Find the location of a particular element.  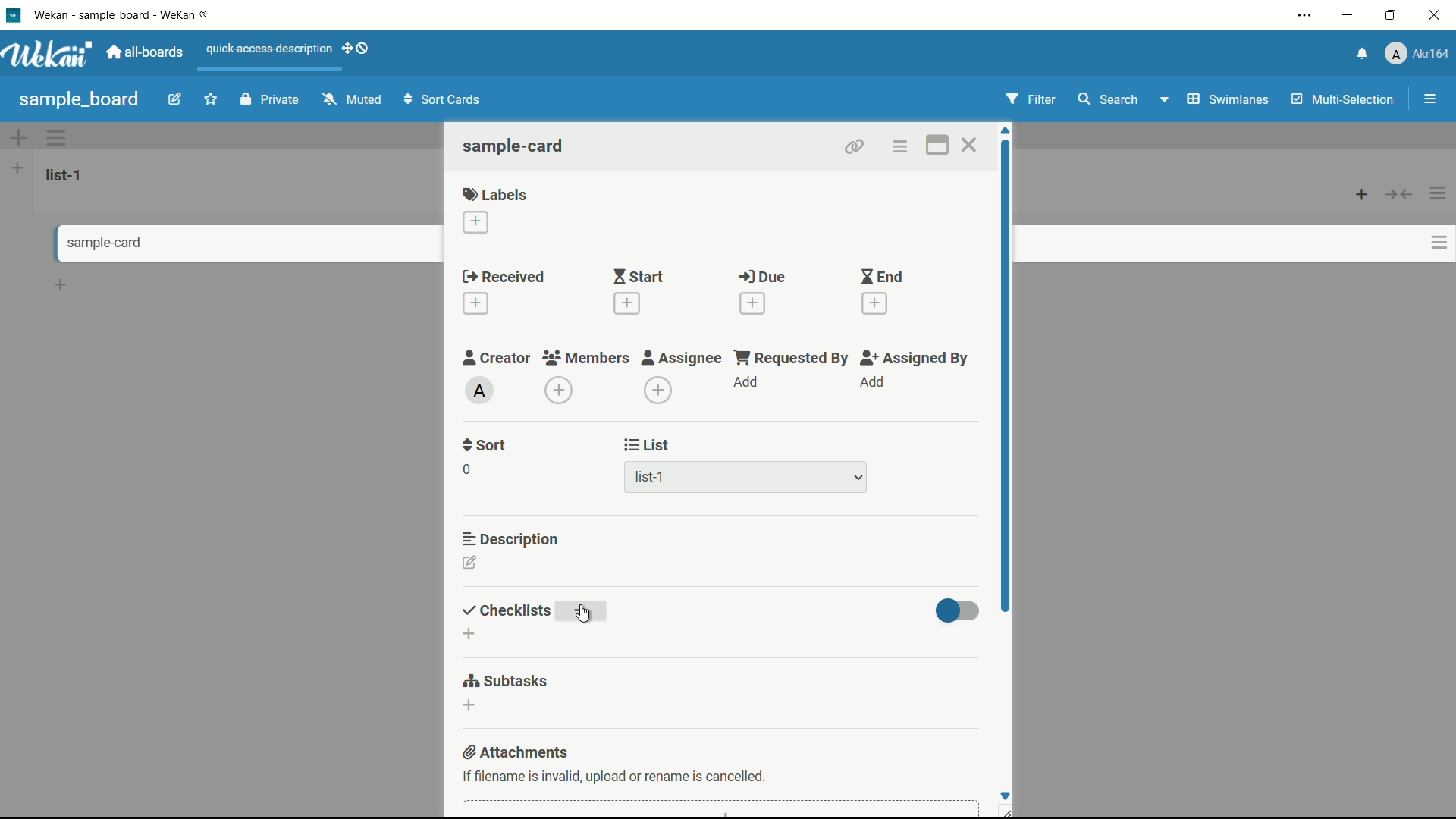

add date is located at coordinates (875, 304).